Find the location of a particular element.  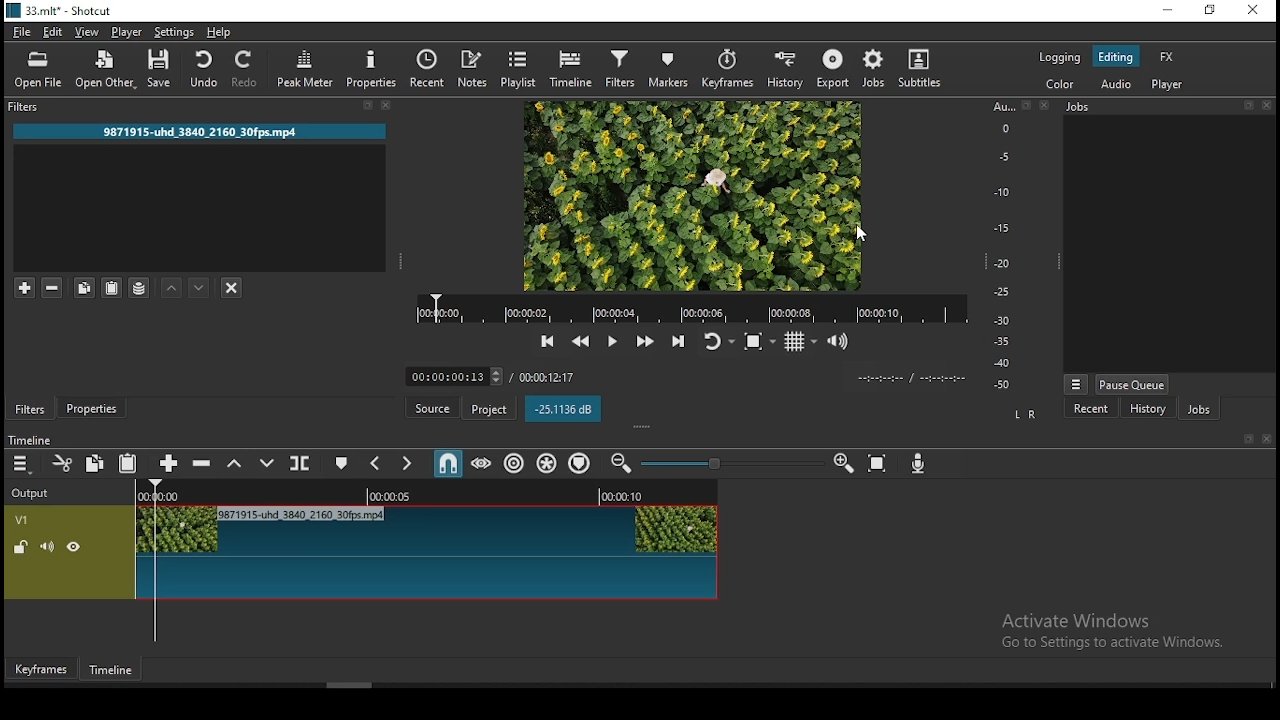

jobs is located at coordinates (877, 69).